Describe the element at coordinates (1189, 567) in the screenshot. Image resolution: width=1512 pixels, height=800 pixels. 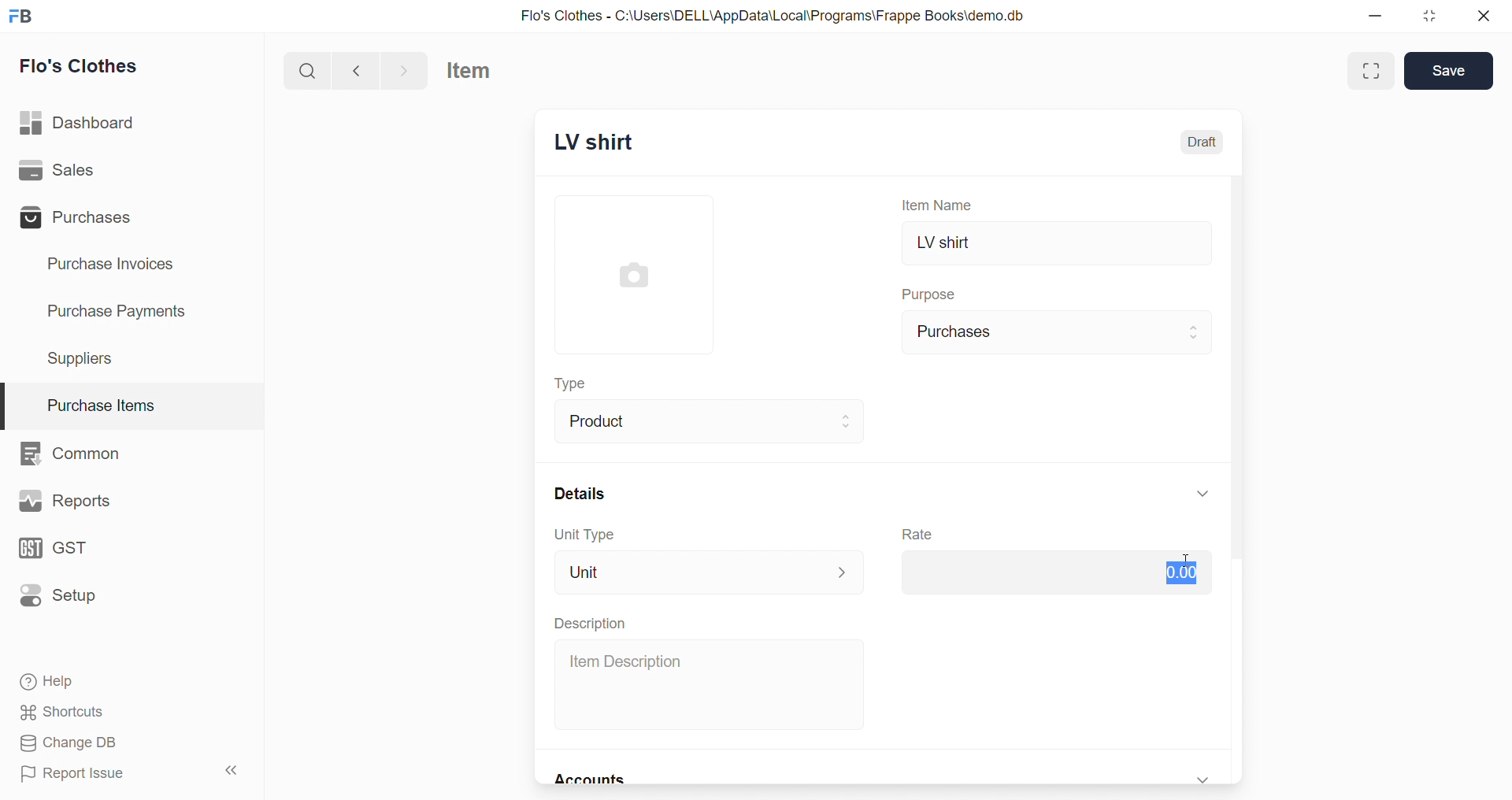
I see `cursor` at that location.